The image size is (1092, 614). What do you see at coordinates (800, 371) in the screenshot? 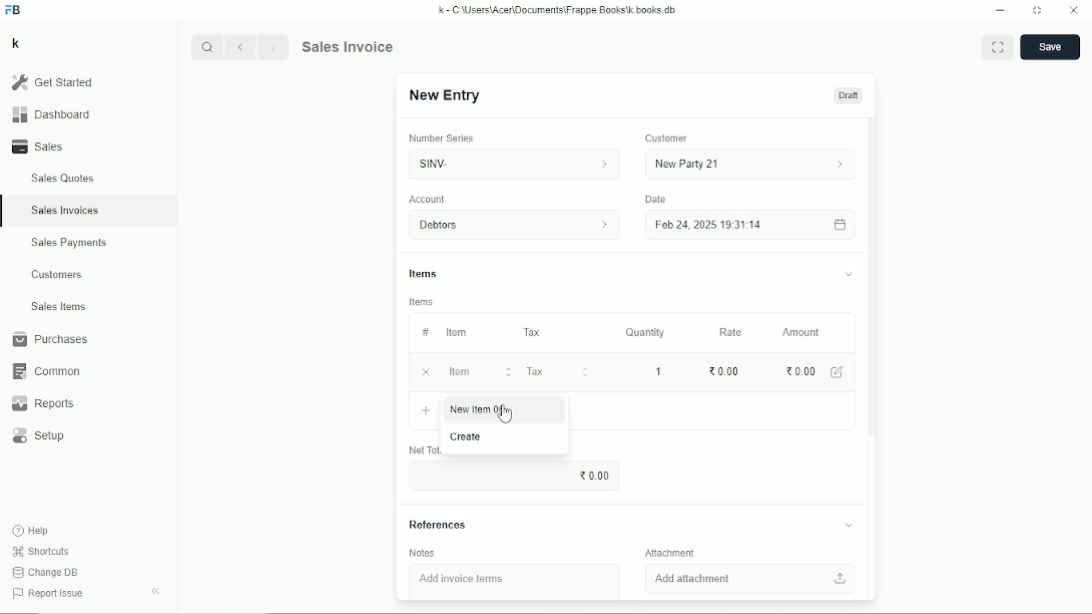
I see `0.00` at bounding box center [800, 371].